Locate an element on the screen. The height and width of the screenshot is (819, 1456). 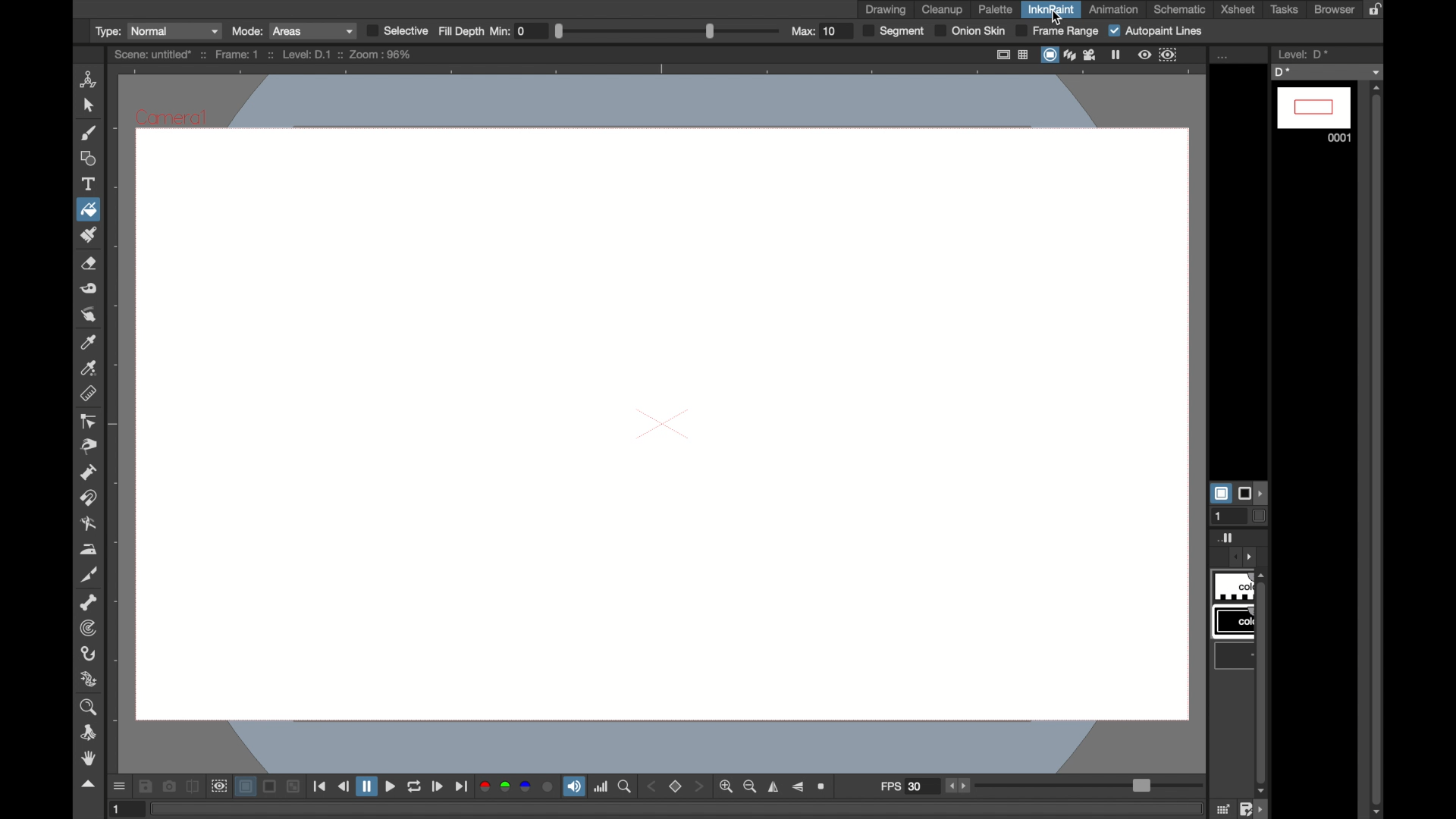
animate tool is located at coordinates (89, 80).